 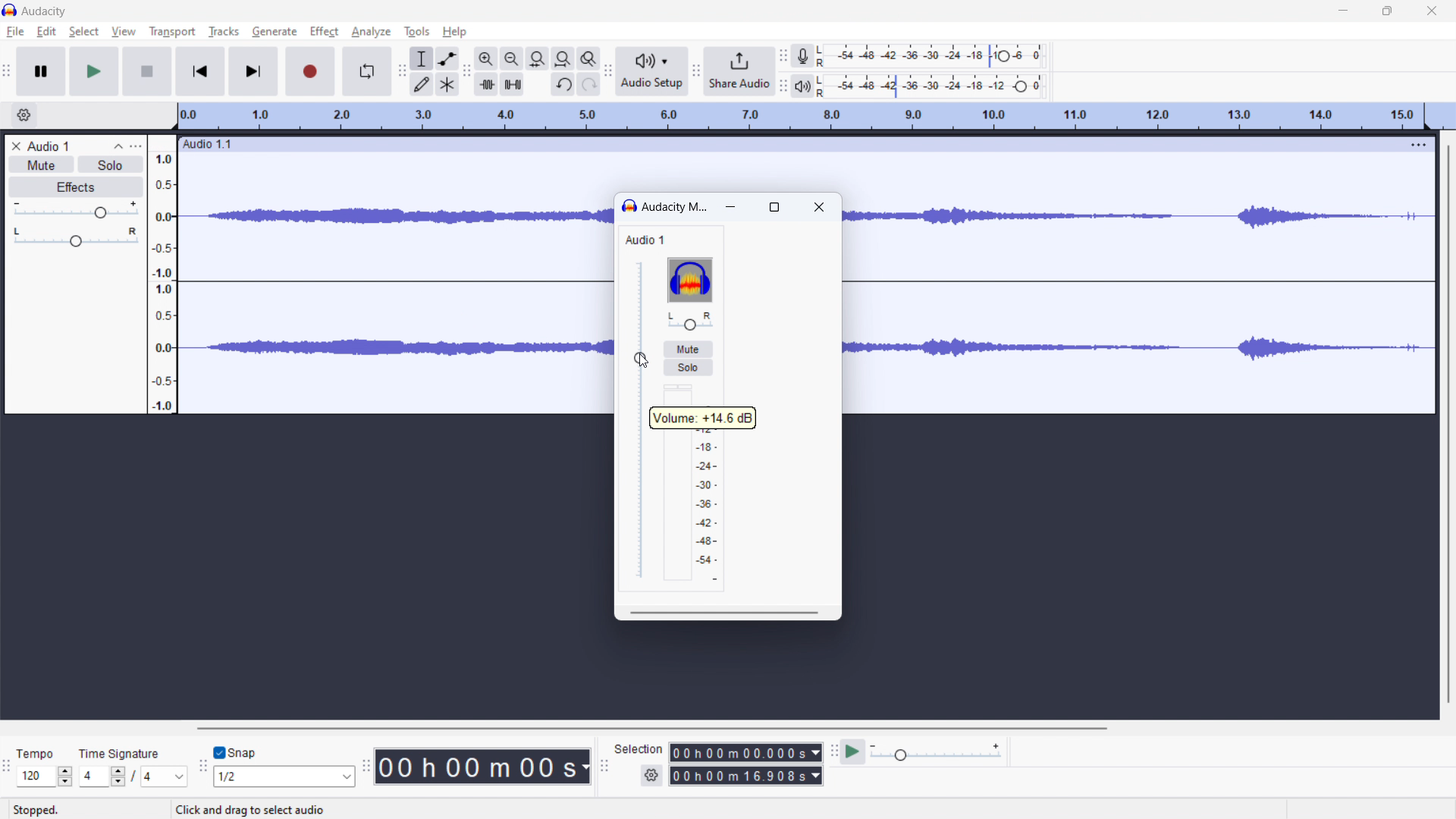 What do you see at coordinates (538, 58) in the screenshot?
I see `fit seleccction to width` at bounding box center [538, 58].